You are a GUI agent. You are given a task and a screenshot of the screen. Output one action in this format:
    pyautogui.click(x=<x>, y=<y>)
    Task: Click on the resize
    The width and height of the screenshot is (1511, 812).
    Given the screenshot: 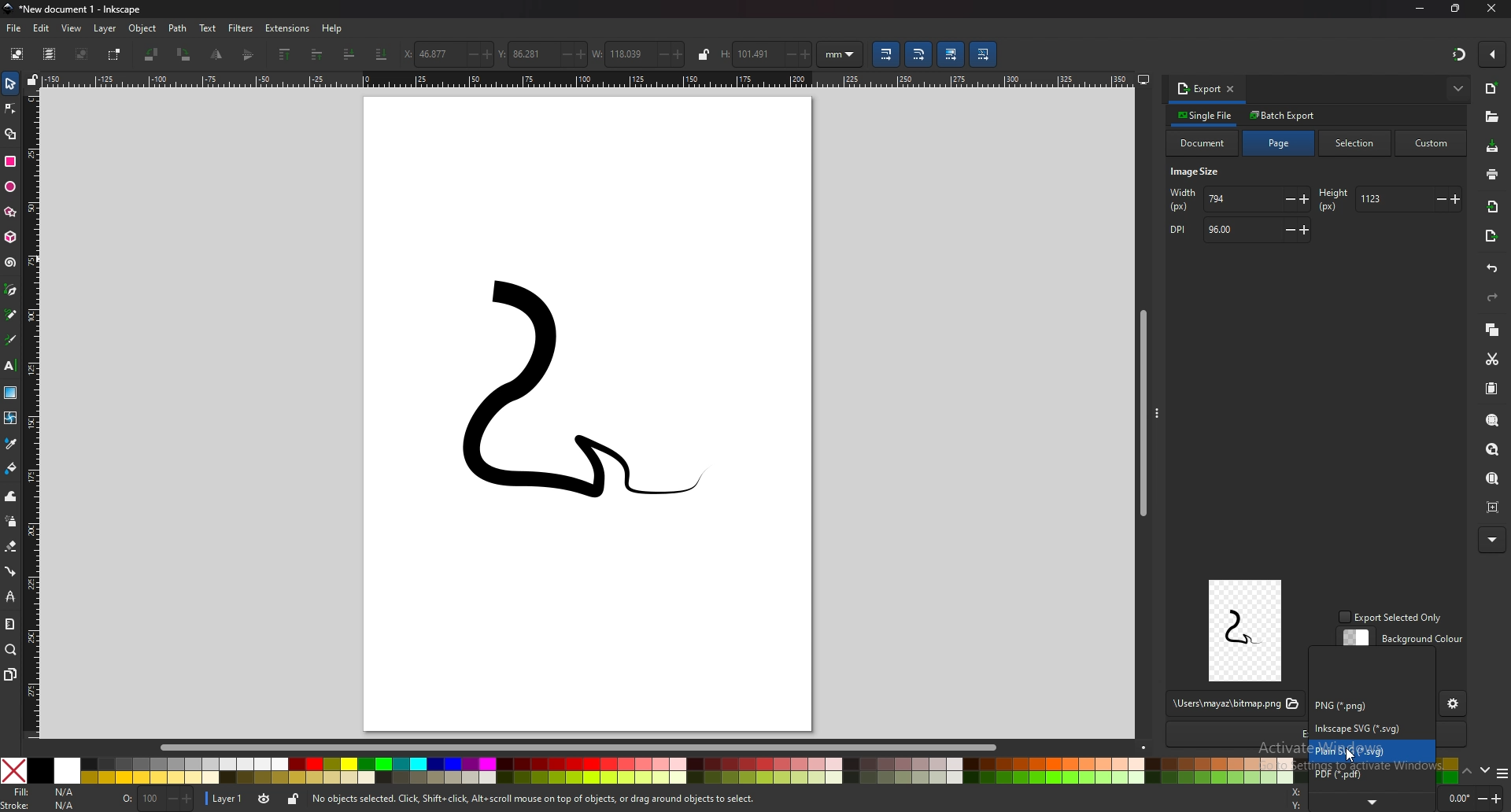 What is the action you would take?
    pyautogui.click(x=1456, y=9)
    